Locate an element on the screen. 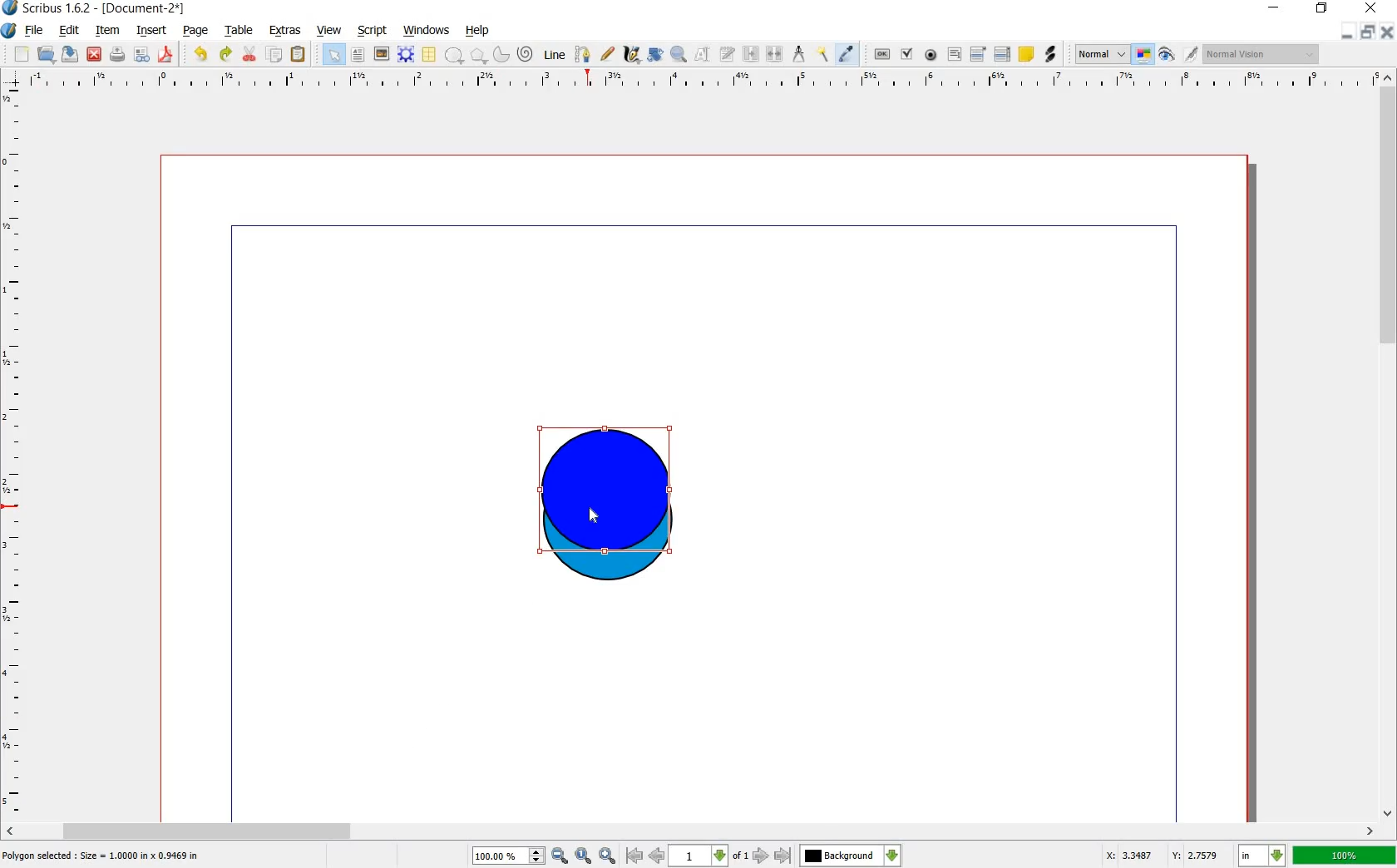 Image resolution: width=1397 pixels, height=868 pixels. cursor is located at coordinates (597, 517).